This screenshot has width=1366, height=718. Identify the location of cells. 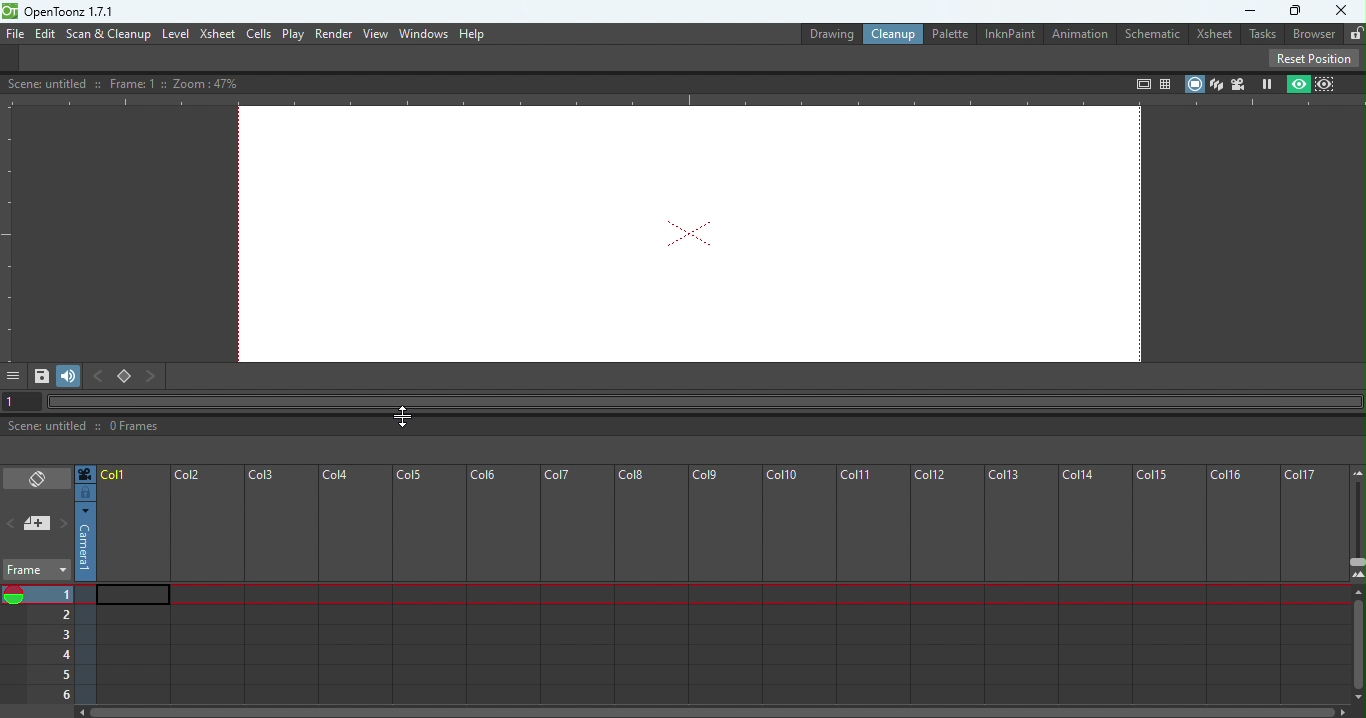
(258, 34).